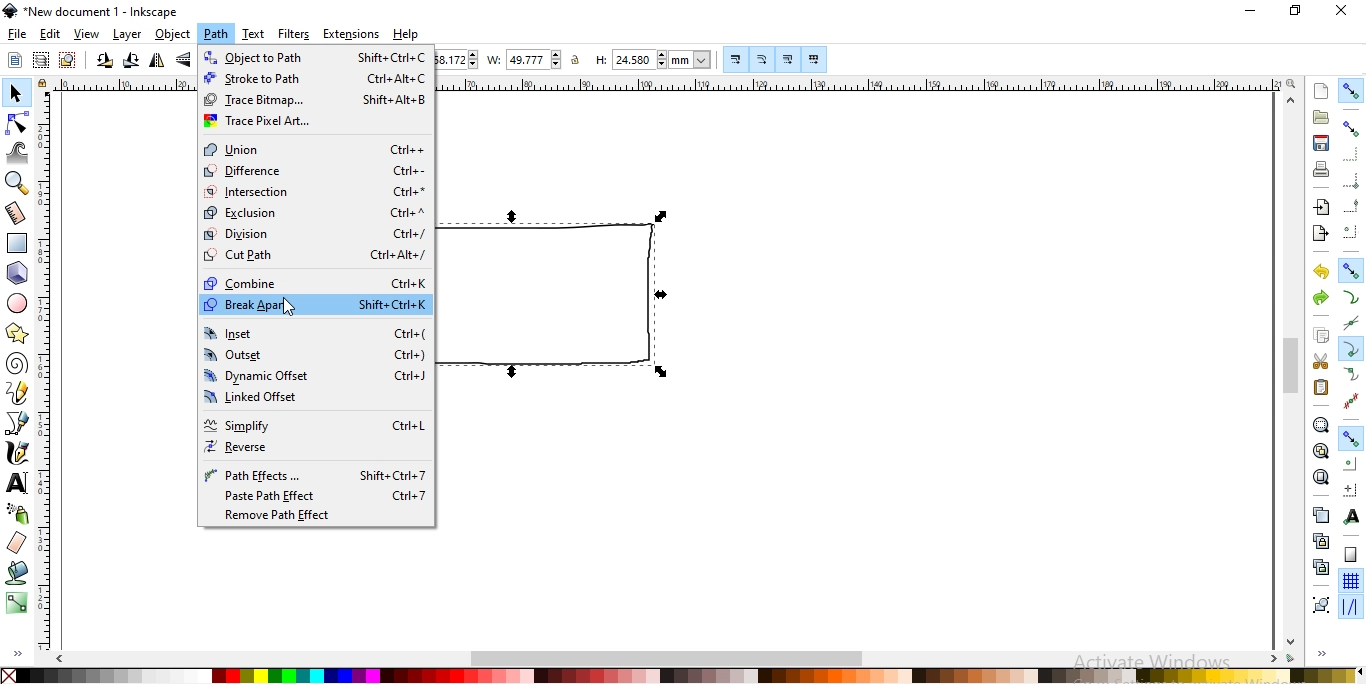 Image resolution: width=1366 pixels, height=684 pixels. What do you see at coordinates (312, 426) in the screenshot?
I see `simplify` at bounding box center [312, 426].